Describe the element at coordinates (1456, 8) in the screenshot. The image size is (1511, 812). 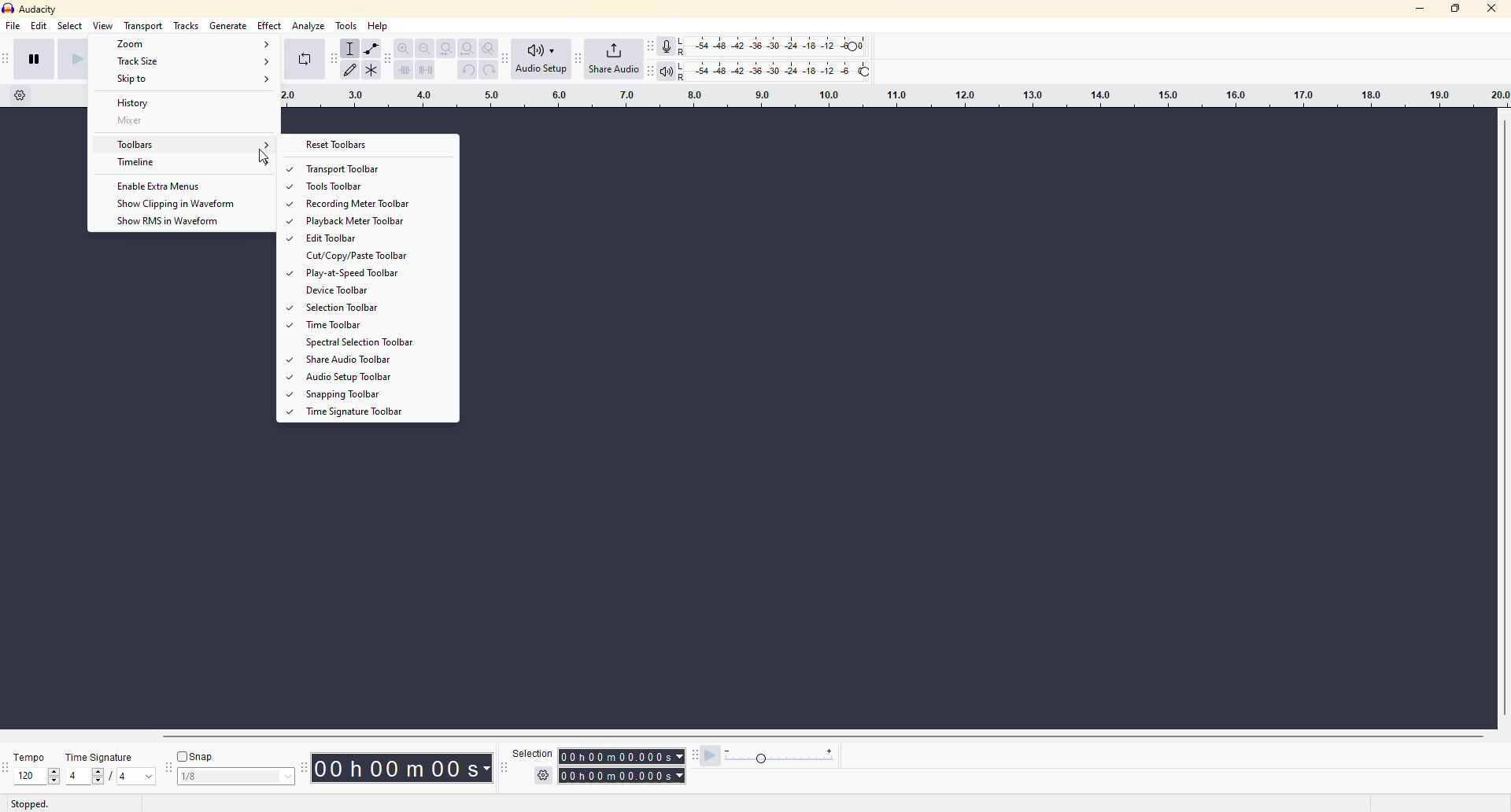
I see `maximize` at that location.